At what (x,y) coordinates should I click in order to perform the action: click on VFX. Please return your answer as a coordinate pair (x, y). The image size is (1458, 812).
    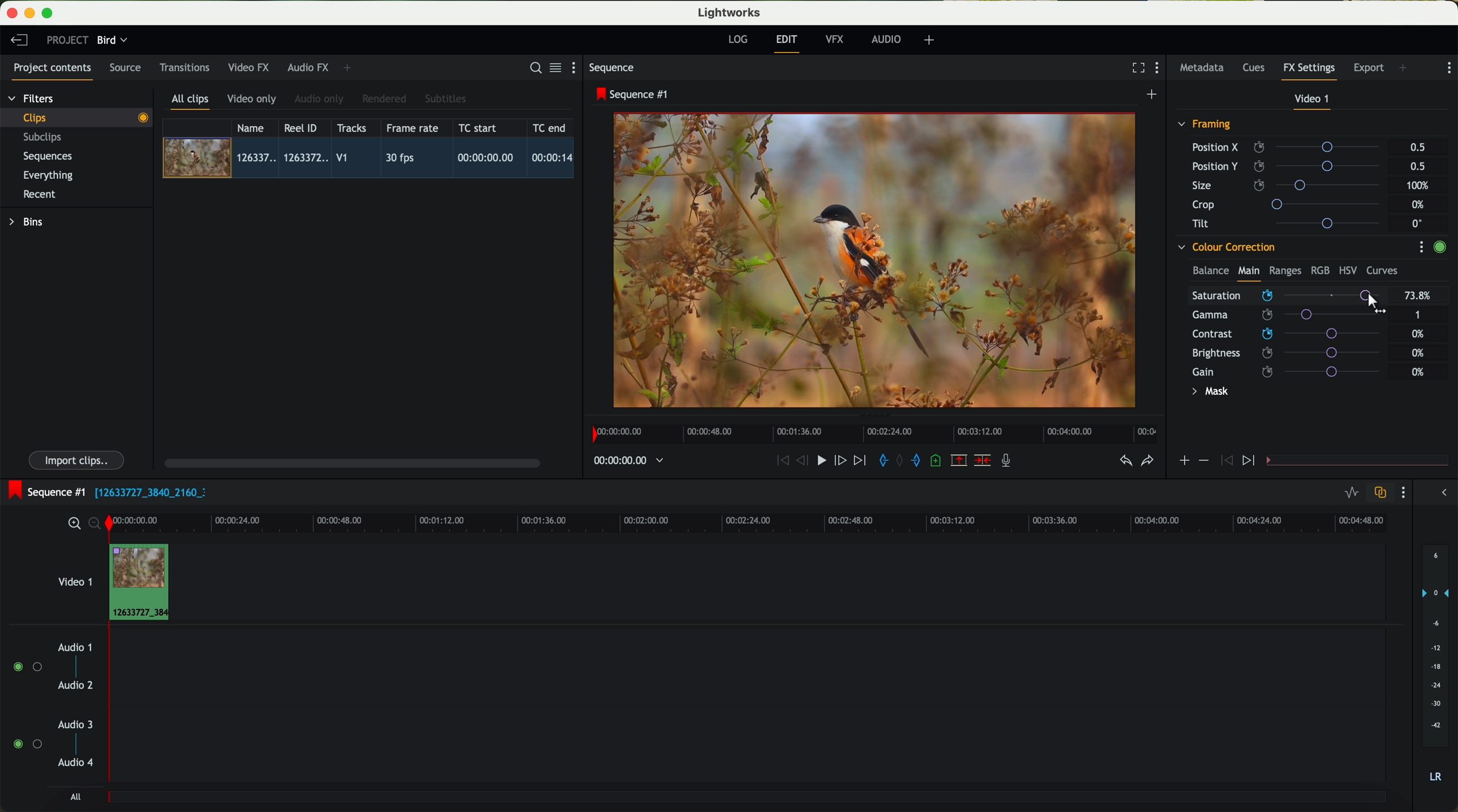
    Looking at the image, I should click on (837, 40).